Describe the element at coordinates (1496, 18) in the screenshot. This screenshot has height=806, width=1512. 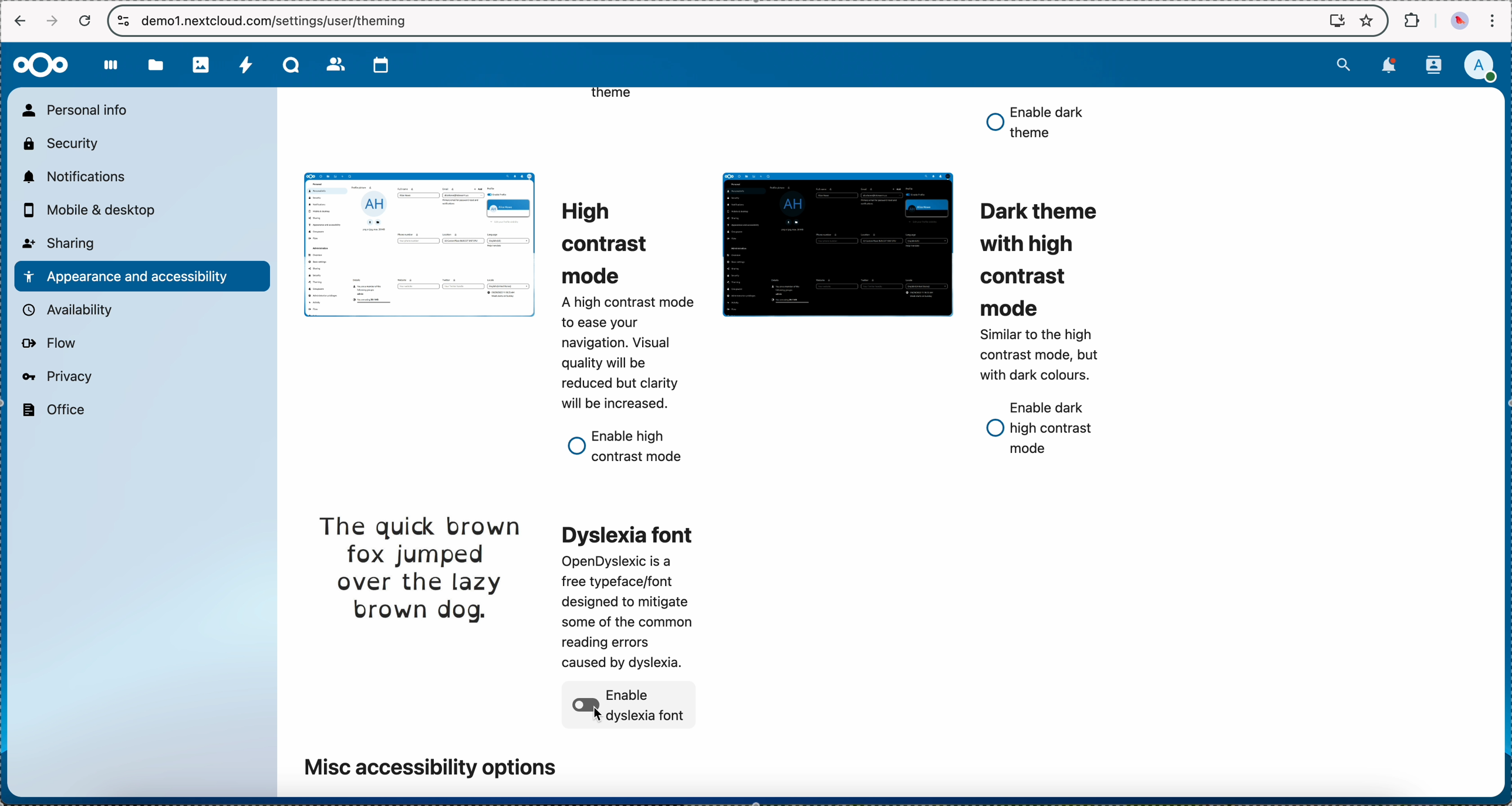
I see `customize and control Google Chrome` at that location.